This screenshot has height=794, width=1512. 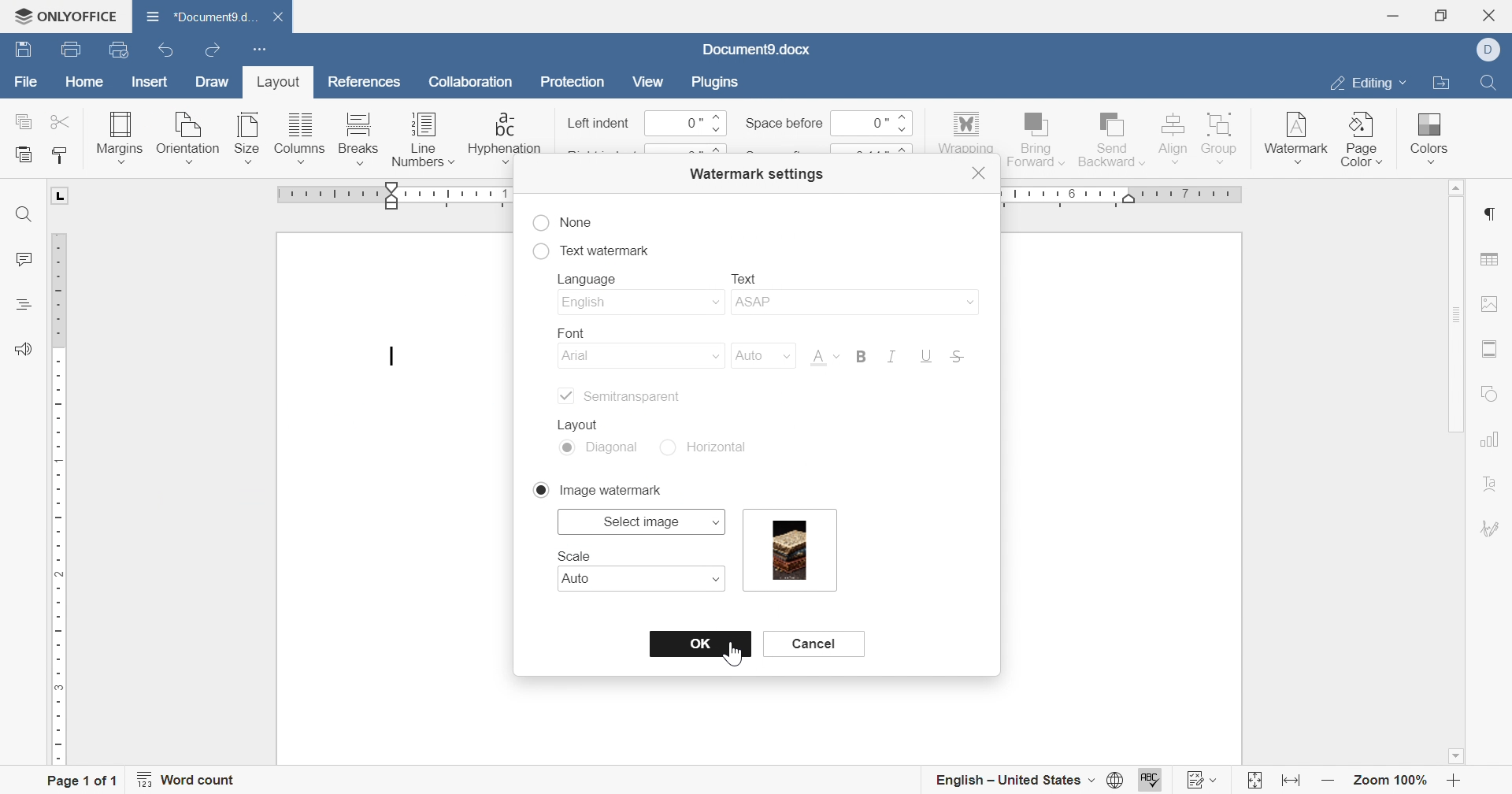 What do you see at coordinates (1426, 132) in the screenshot?
I see `colors` at bounding box center [1426, 132].